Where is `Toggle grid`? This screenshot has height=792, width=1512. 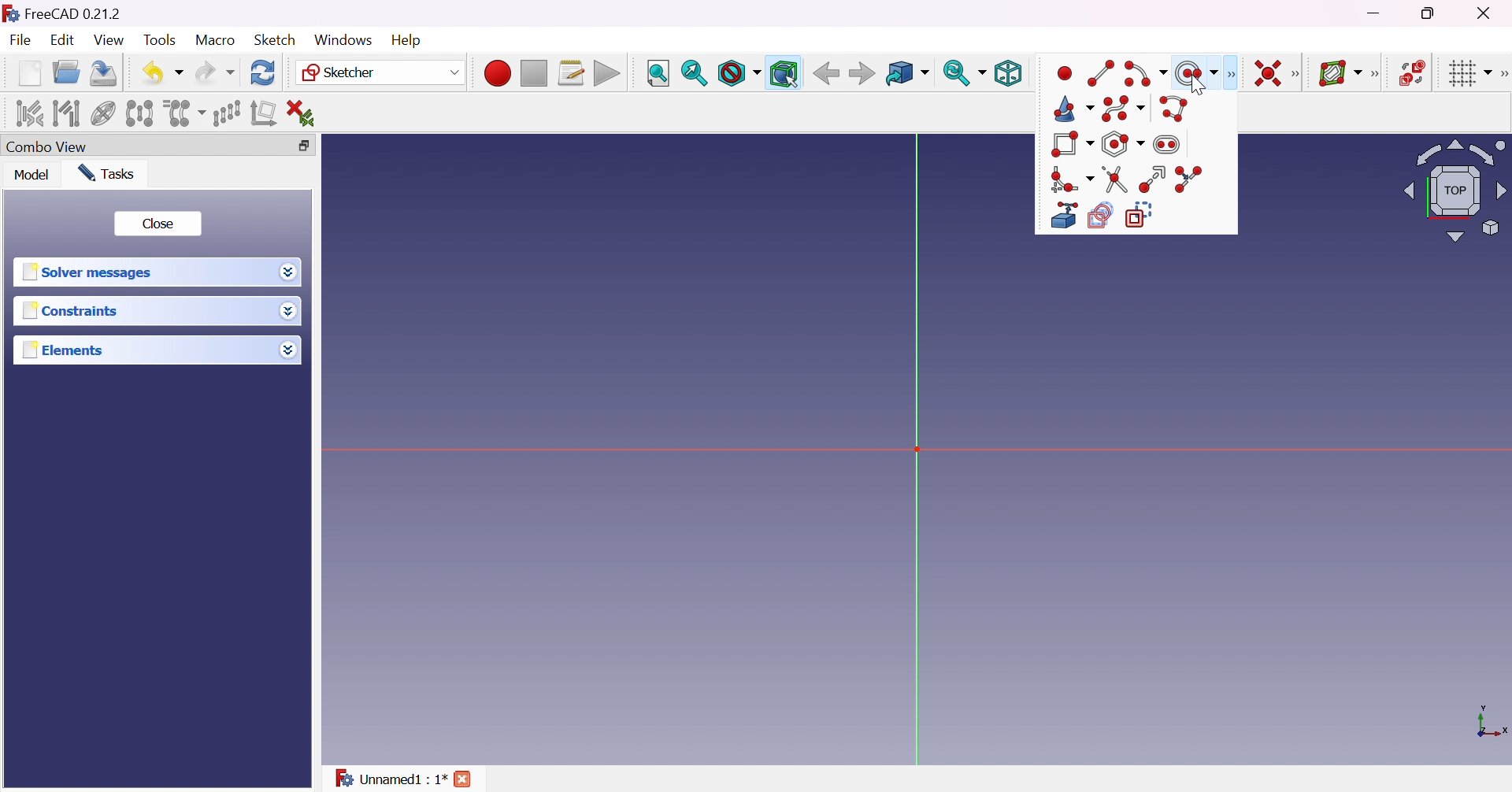 Toggle grid is located at coordinates (1468, 72).